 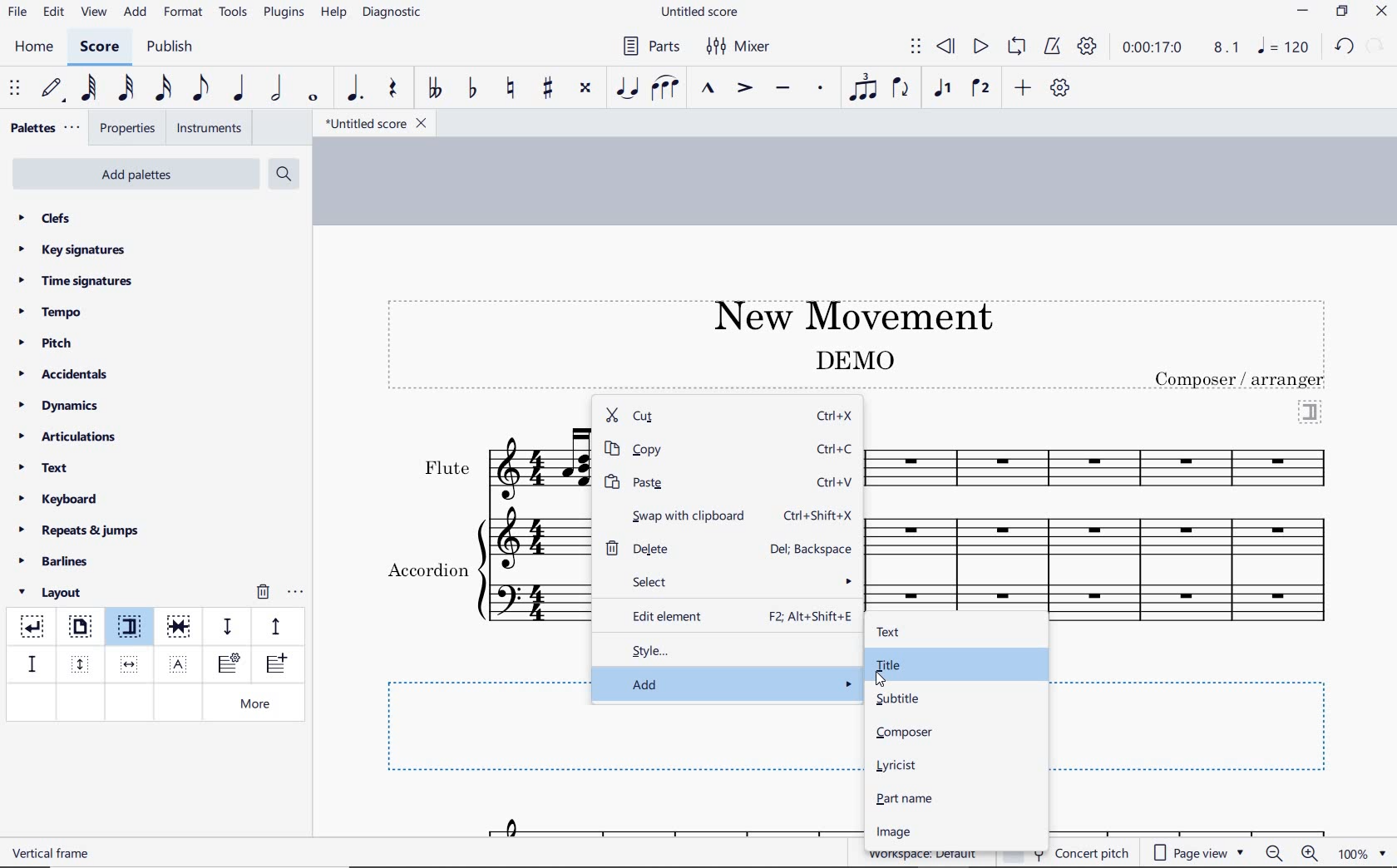 What do you see at coordinates (1025, 87) in the screenshot?
I see `add` at bounding box center [1025, 87].